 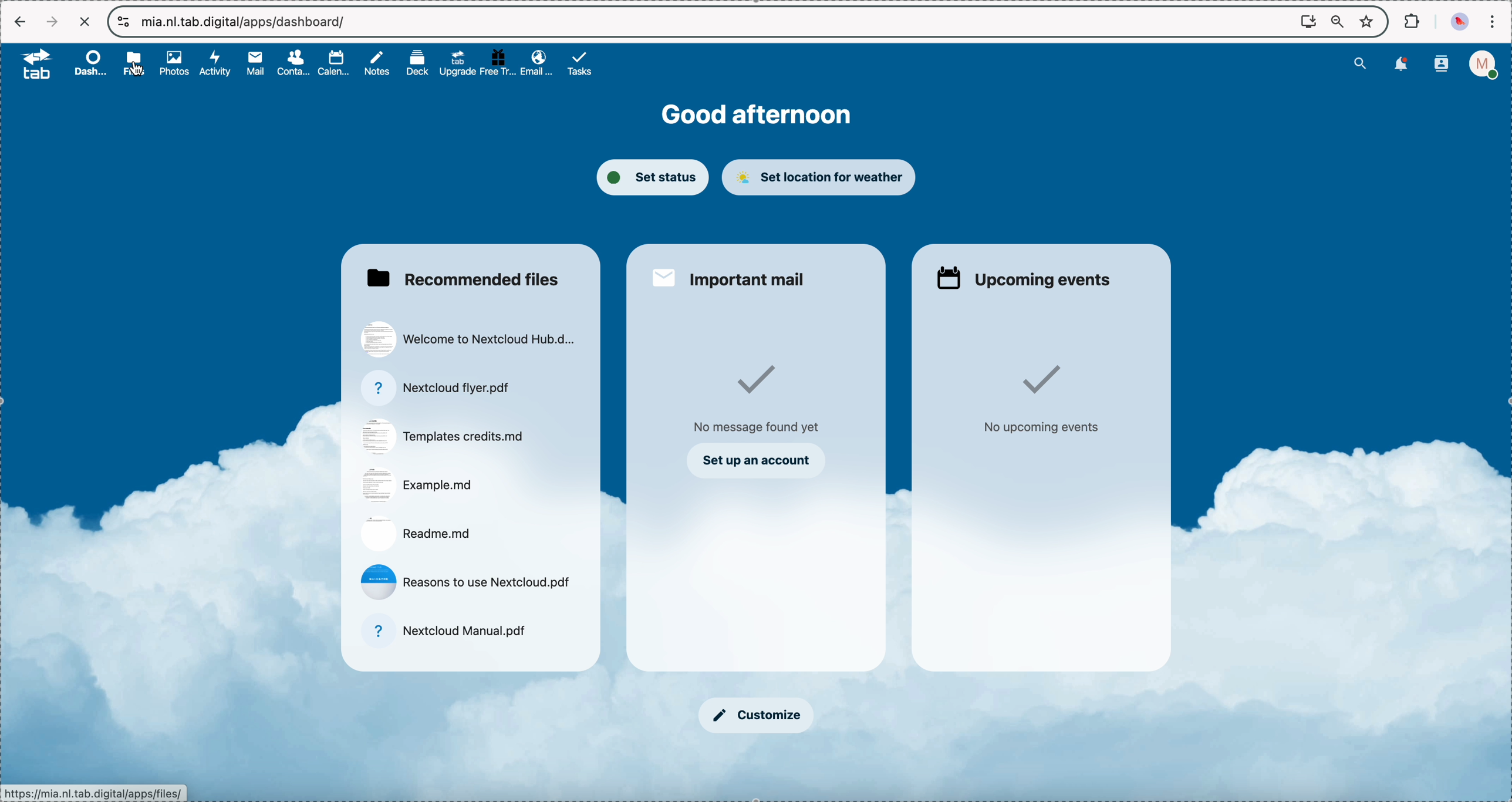 I want to click on set status button, so click(x=651, y=177).